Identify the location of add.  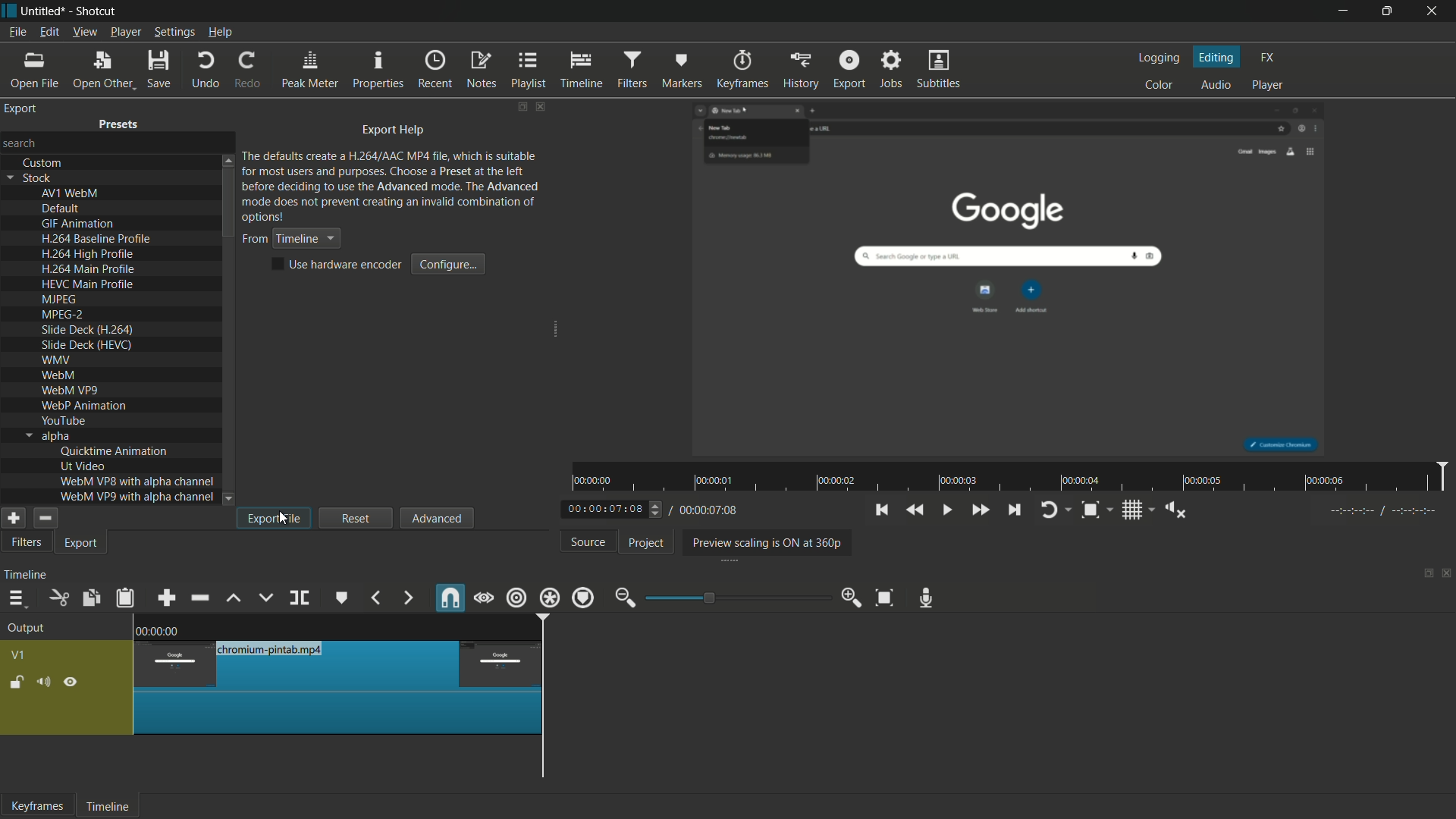
(11, 518).